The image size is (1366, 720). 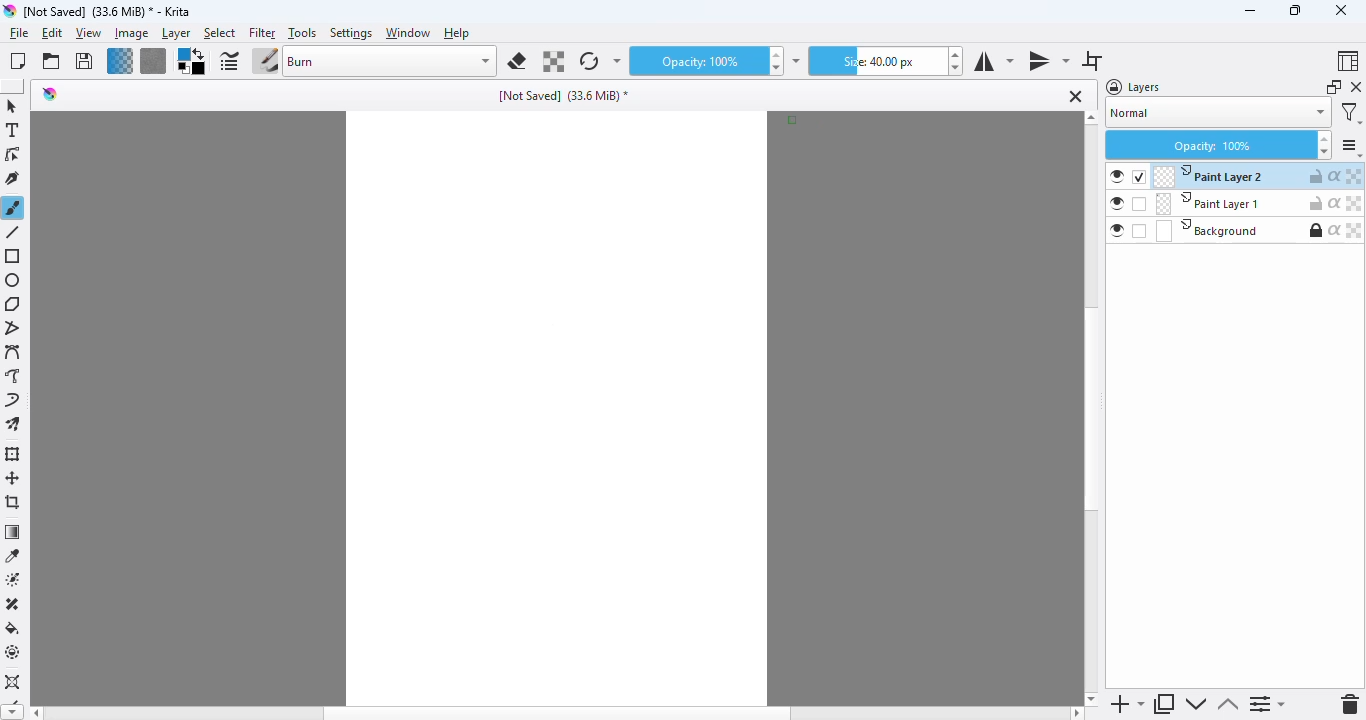 What do you see at coordinates (992, 61) in the screenshot?
I see `horizontal mirror tool` at bounding box center [992, 61].